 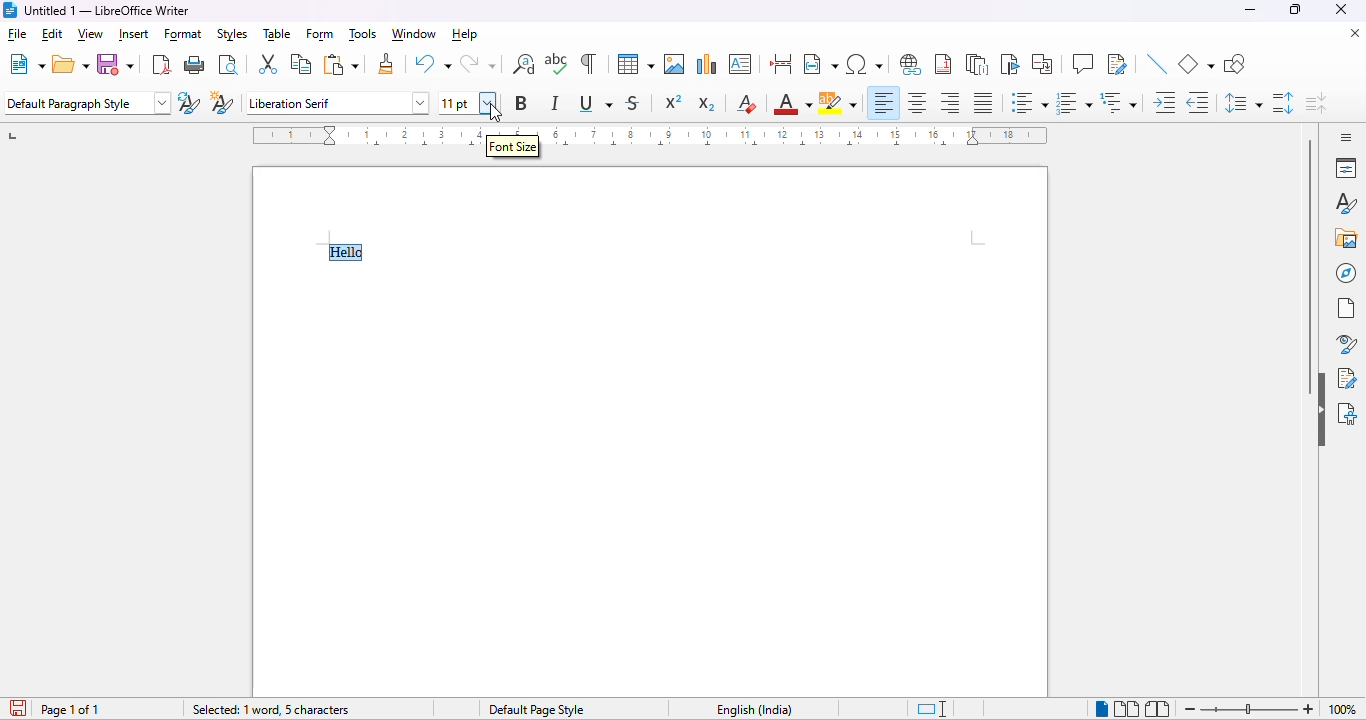 I want to click on single-page view, so click(x=1102, y=710).